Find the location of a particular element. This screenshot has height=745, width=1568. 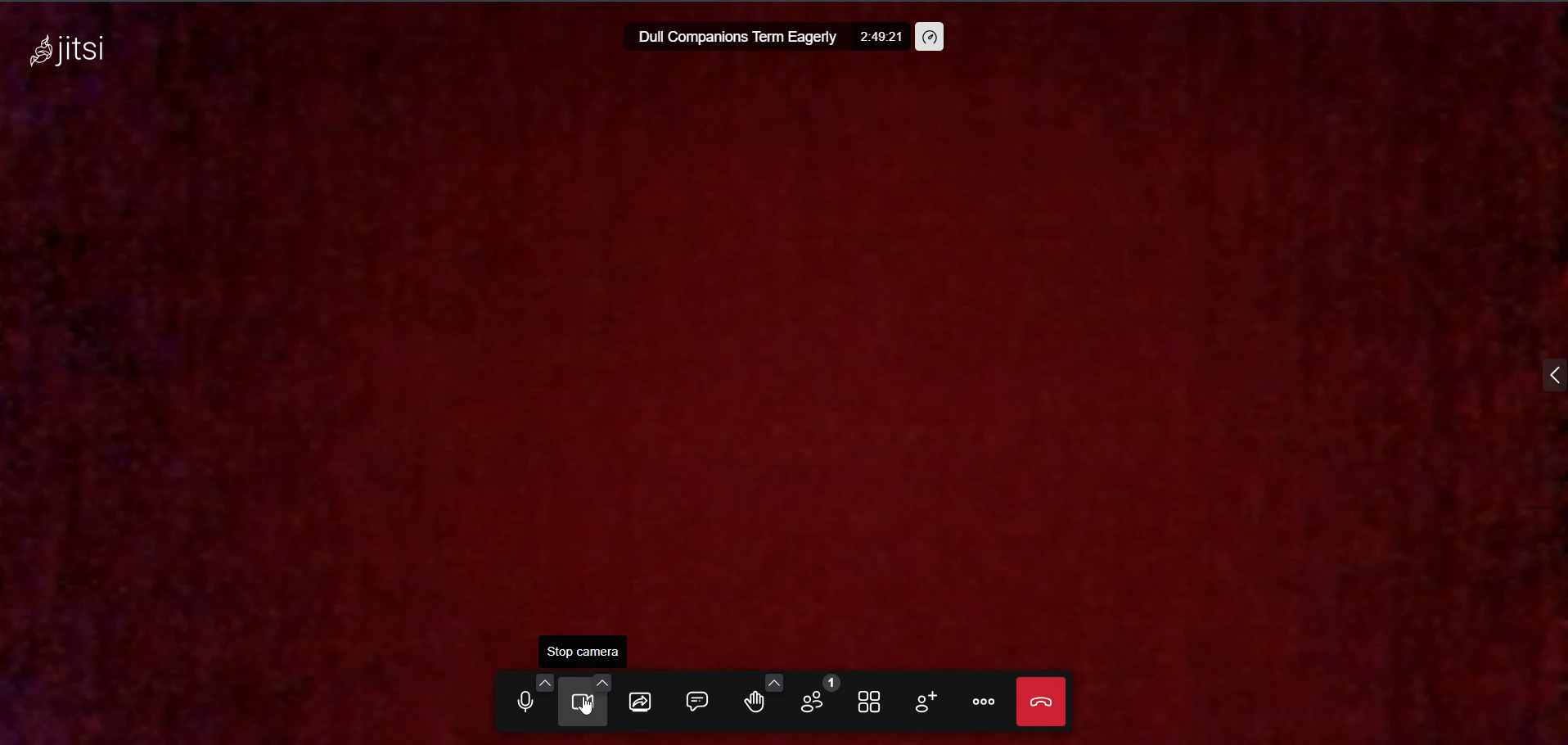

logo is located at coordinates (68, 54).